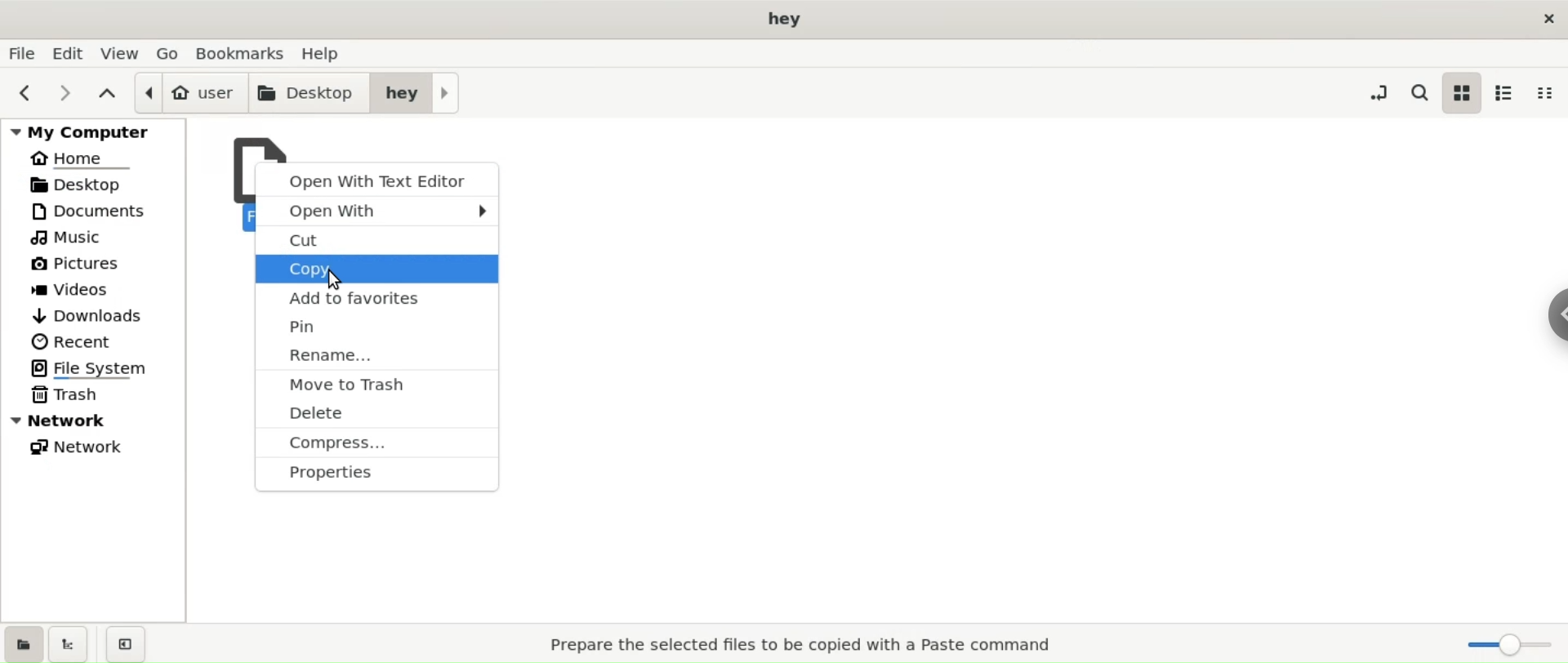 This screenshot has height=663, width=1568. Describe the element at coordinates (94, 159) in the screenshot. I see `home` at that location.